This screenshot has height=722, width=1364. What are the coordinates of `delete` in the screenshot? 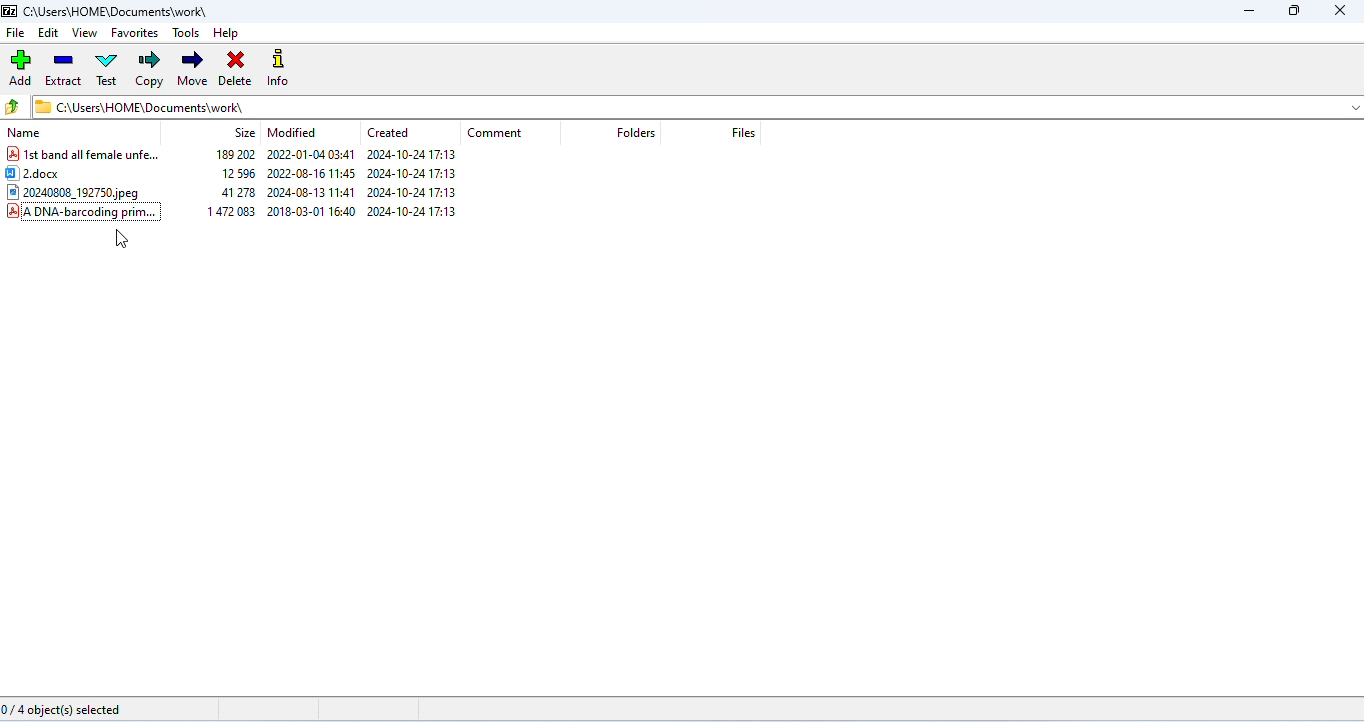 It's located at (234, 70).